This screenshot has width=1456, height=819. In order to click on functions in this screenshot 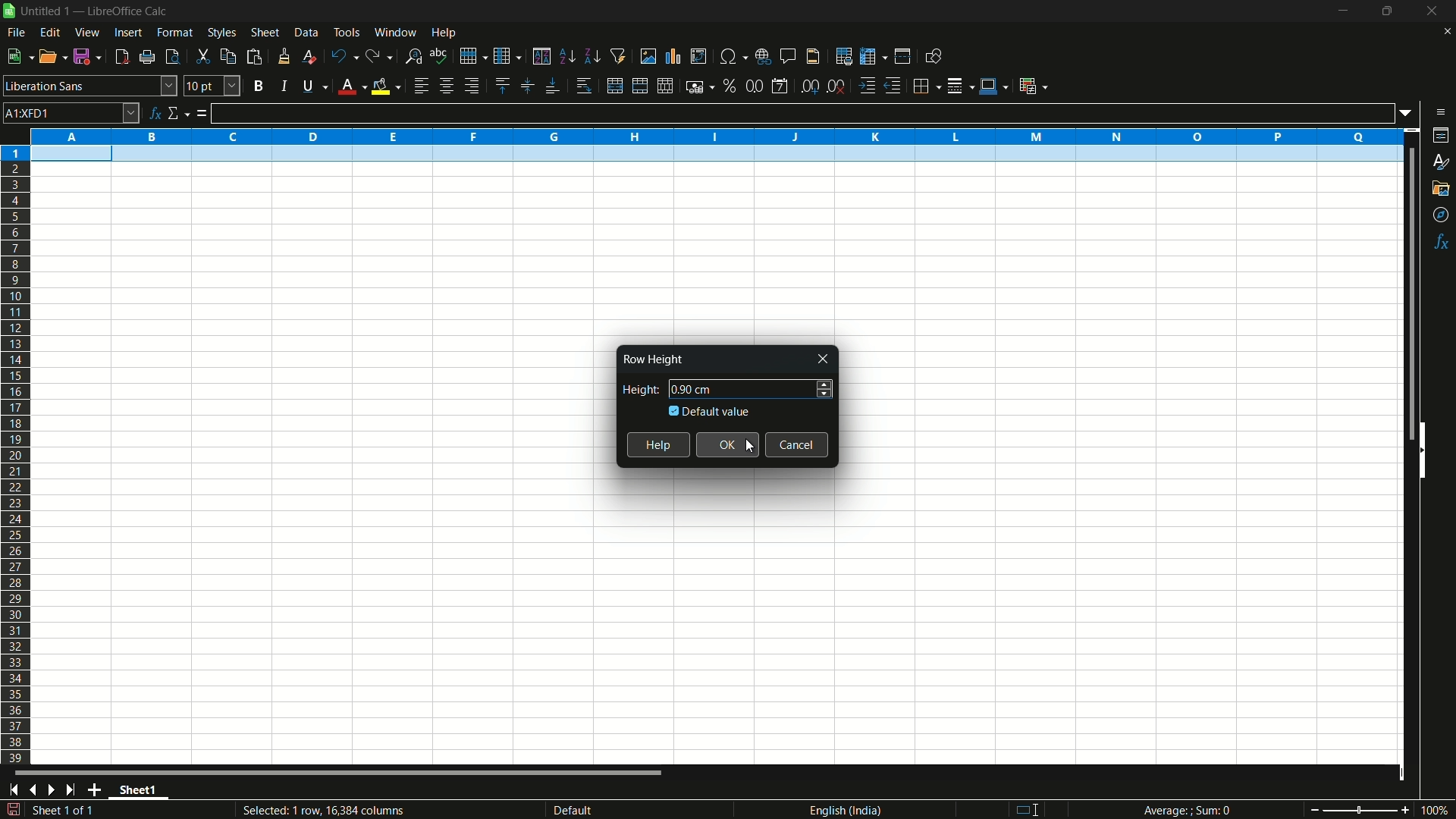, I will do `click(1442, 242)`.